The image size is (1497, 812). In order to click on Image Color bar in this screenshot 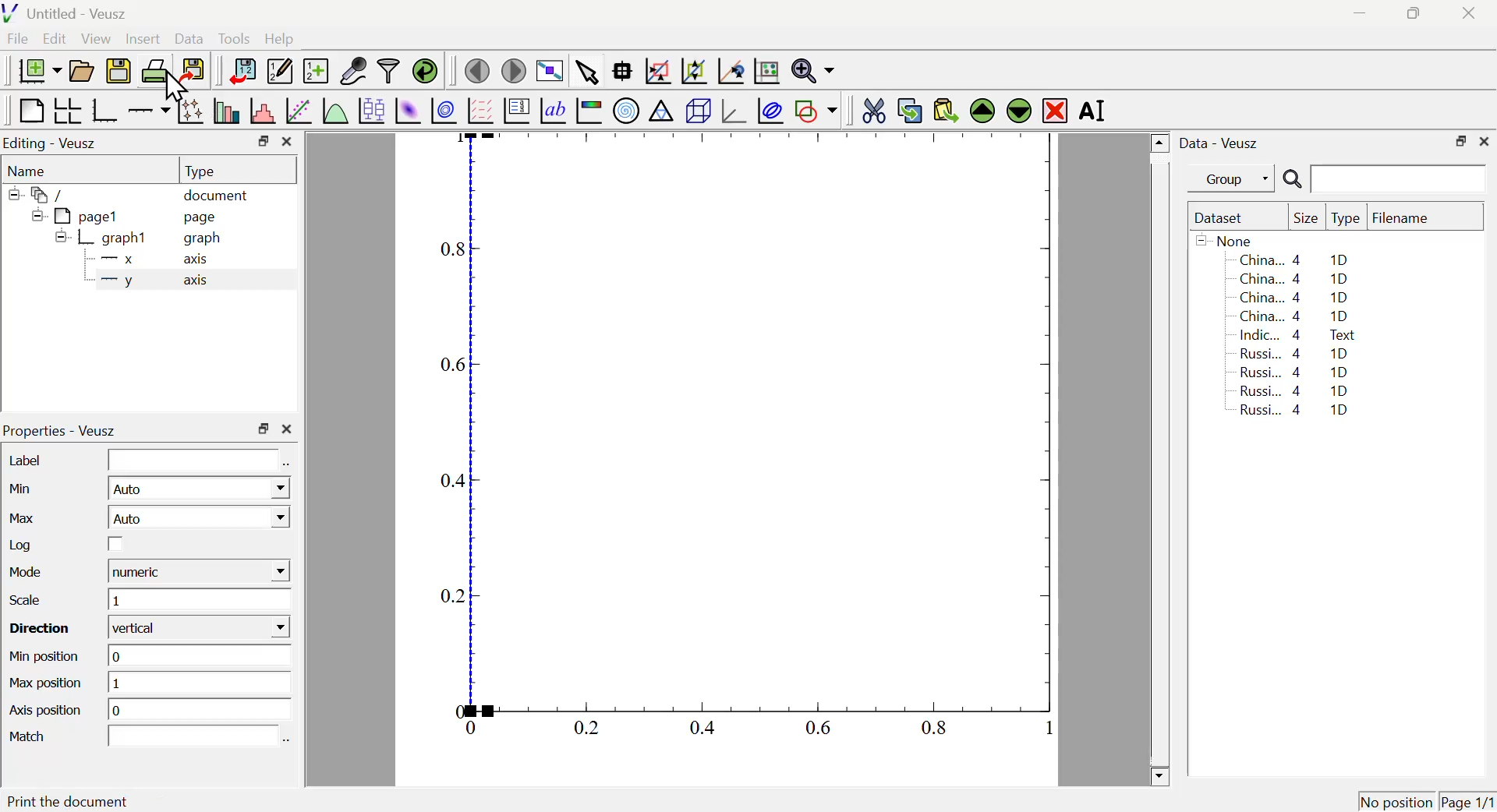, I will do `click(589, 111)`.